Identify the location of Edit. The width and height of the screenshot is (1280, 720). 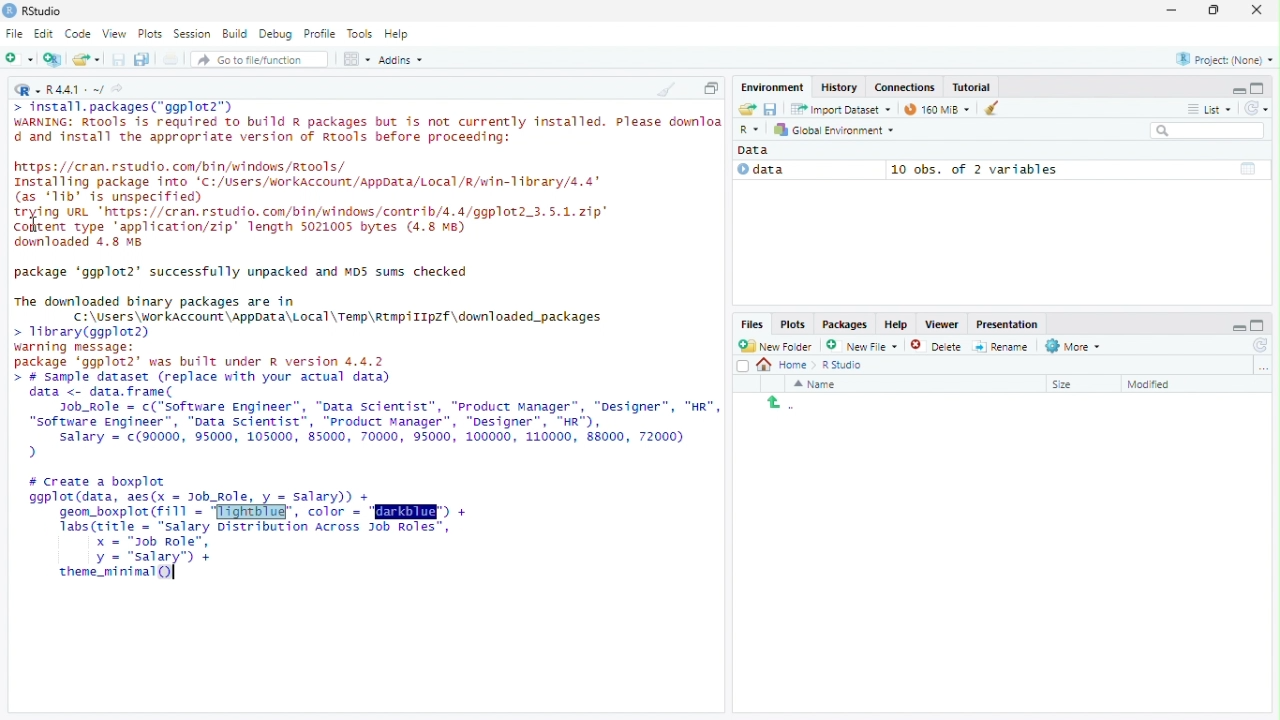
(45, 34).